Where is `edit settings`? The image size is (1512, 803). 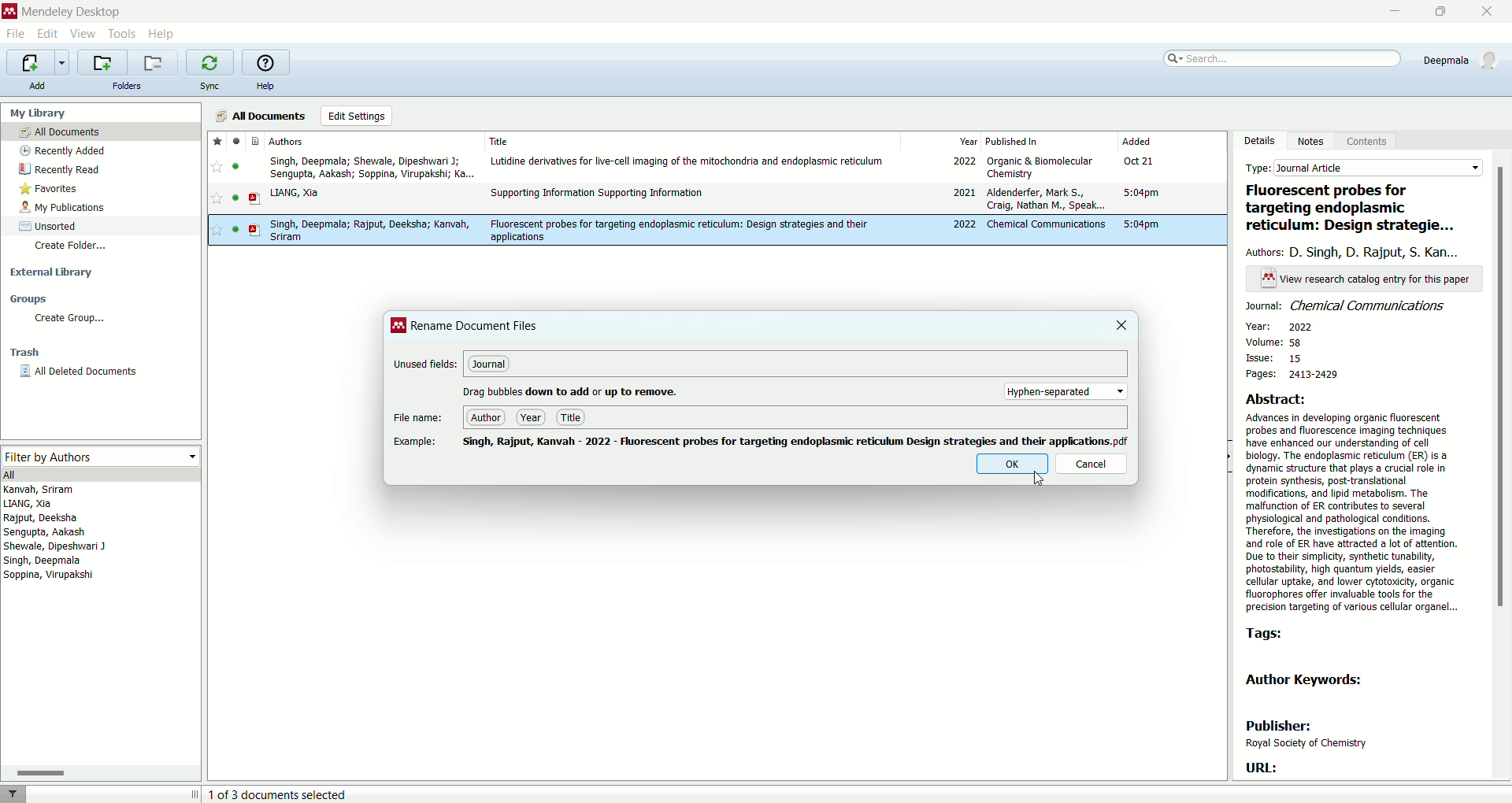 edit settings is located at coordinates (356, 116).